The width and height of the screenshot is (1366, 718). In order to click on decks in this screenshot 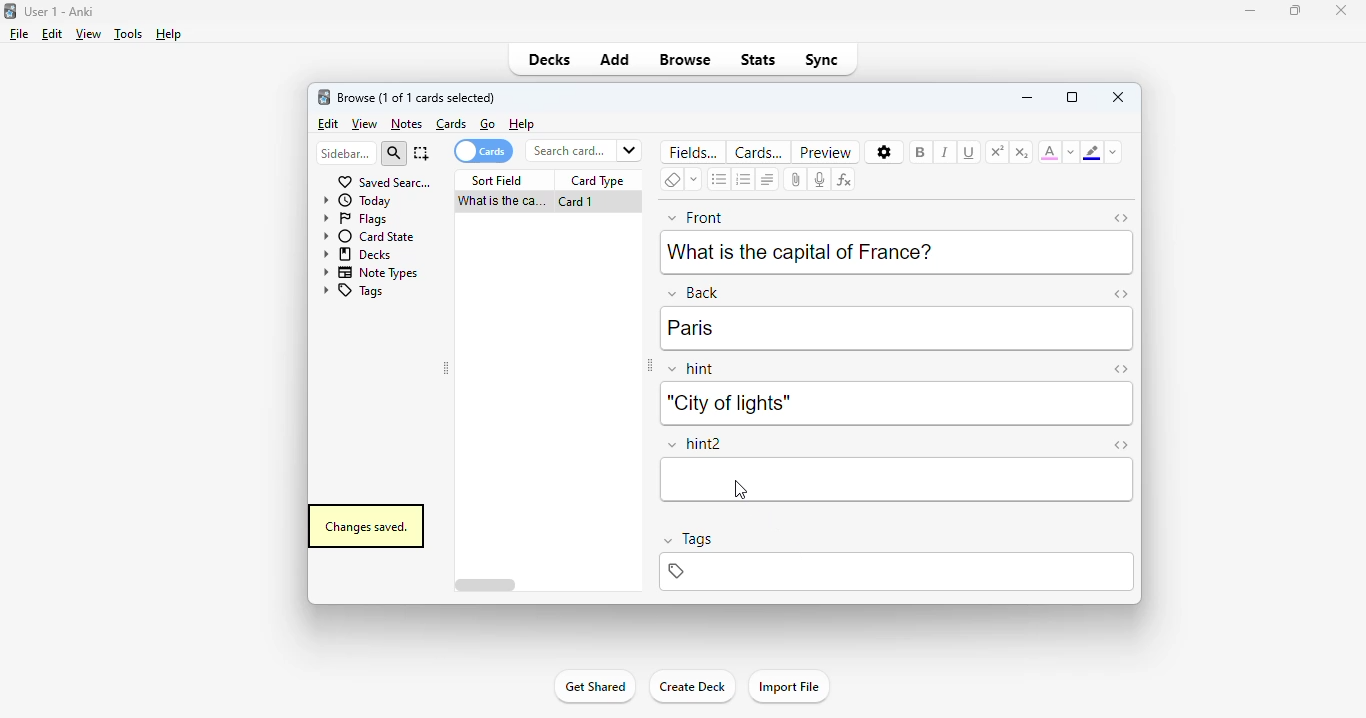, I will do `click(359, 253)`.